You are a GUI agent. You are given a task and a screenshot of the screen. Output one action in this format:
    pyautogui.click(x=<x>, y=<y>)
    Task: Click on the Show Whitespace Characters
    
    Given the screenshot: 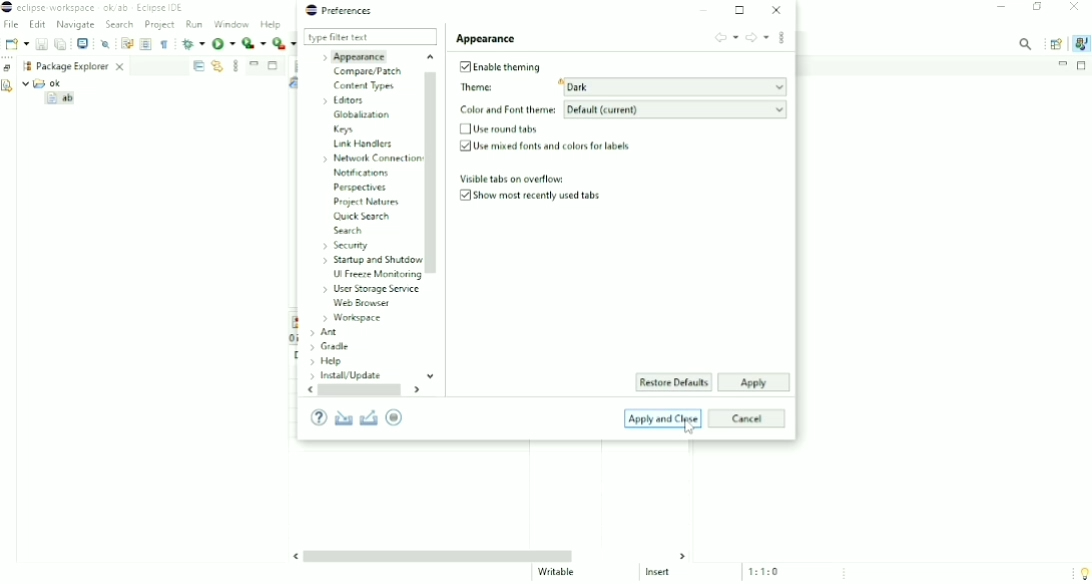 What is the action you would take?
    pyautogui.click(x=164, y=44)
    